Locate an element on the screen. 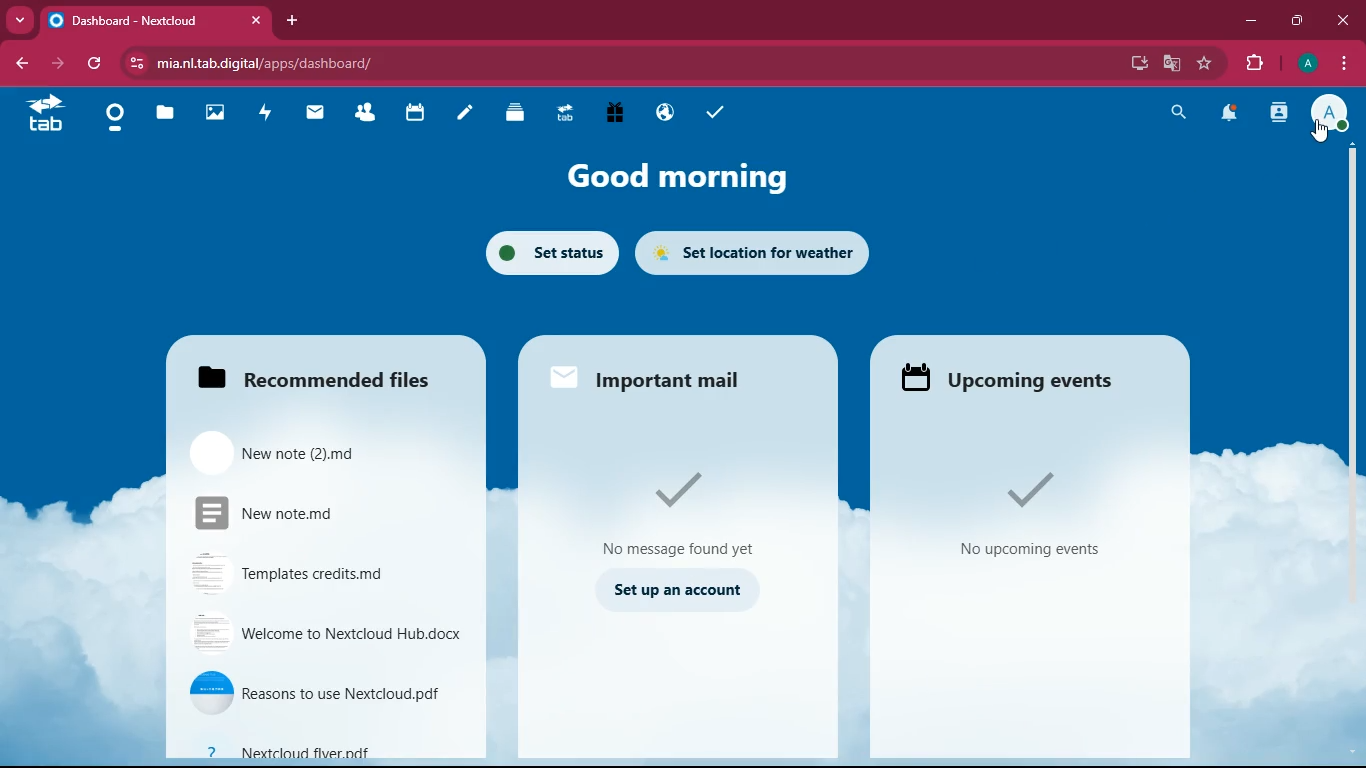 This screenshot has width=1366, height=768. mail is located at coordinates (310, 113).